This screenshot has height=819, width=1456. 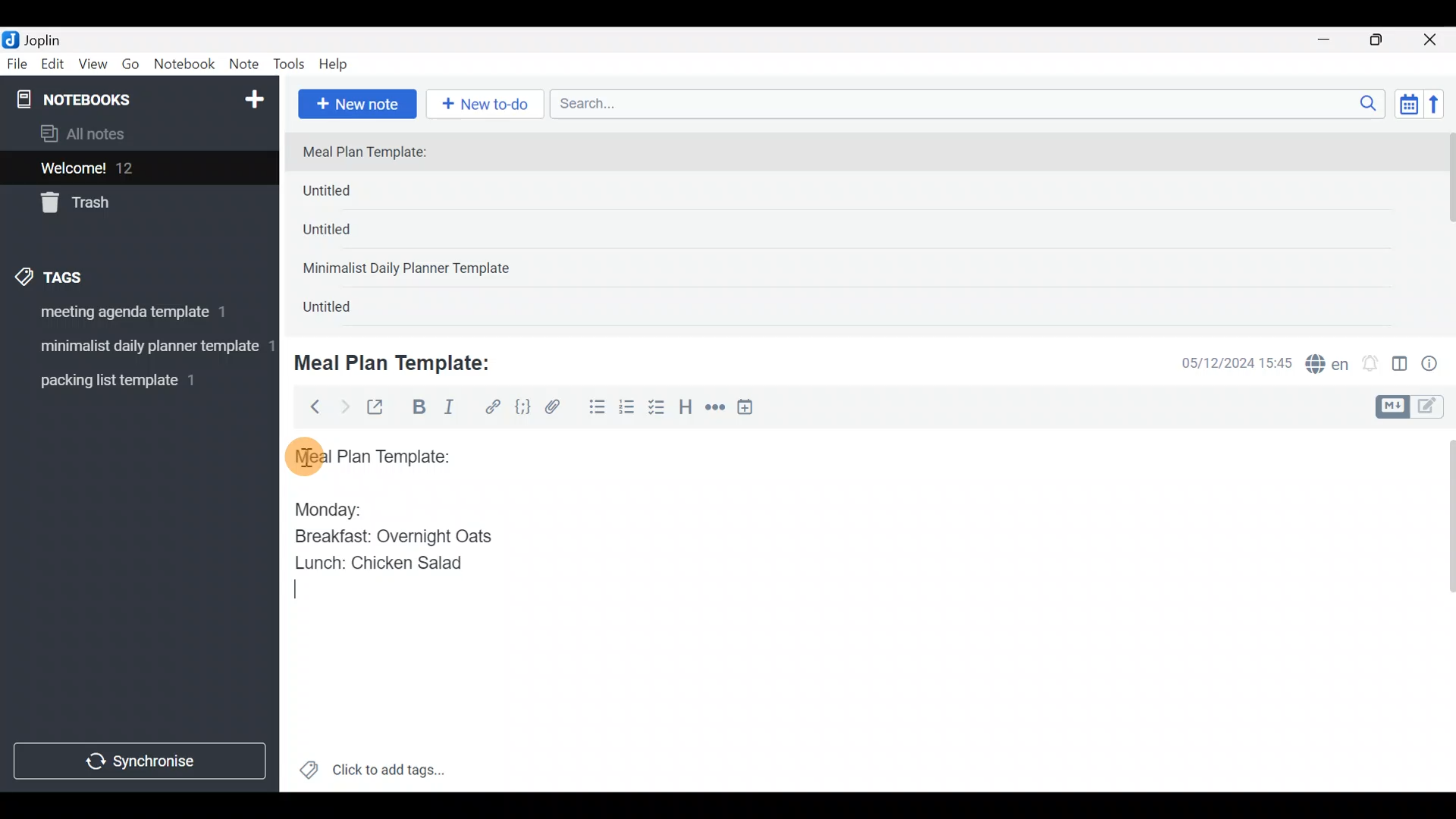 I want to click on Date & time, so click(x=1225, y=362).